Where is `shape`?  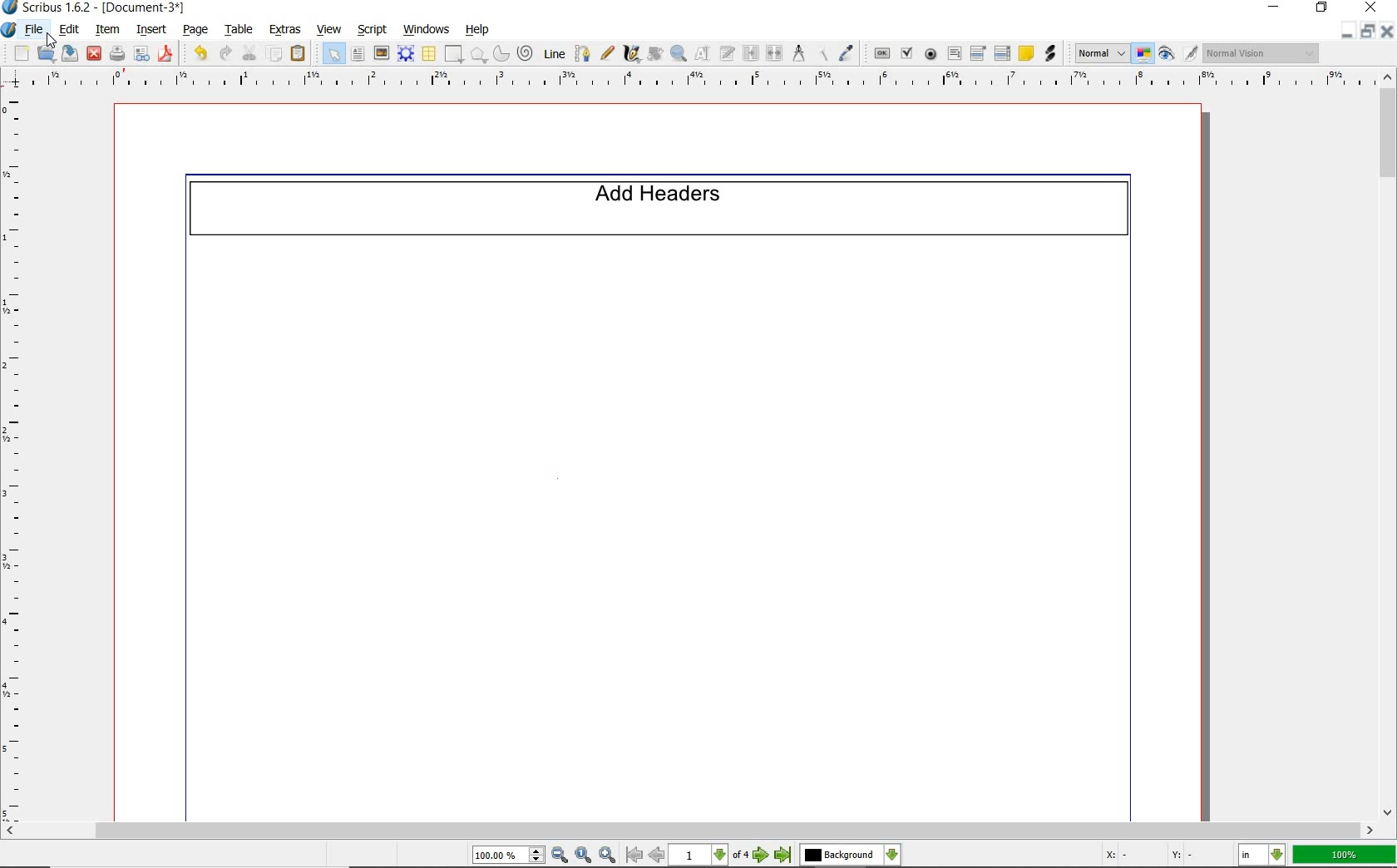
shape is located at coordinates (455, 55).